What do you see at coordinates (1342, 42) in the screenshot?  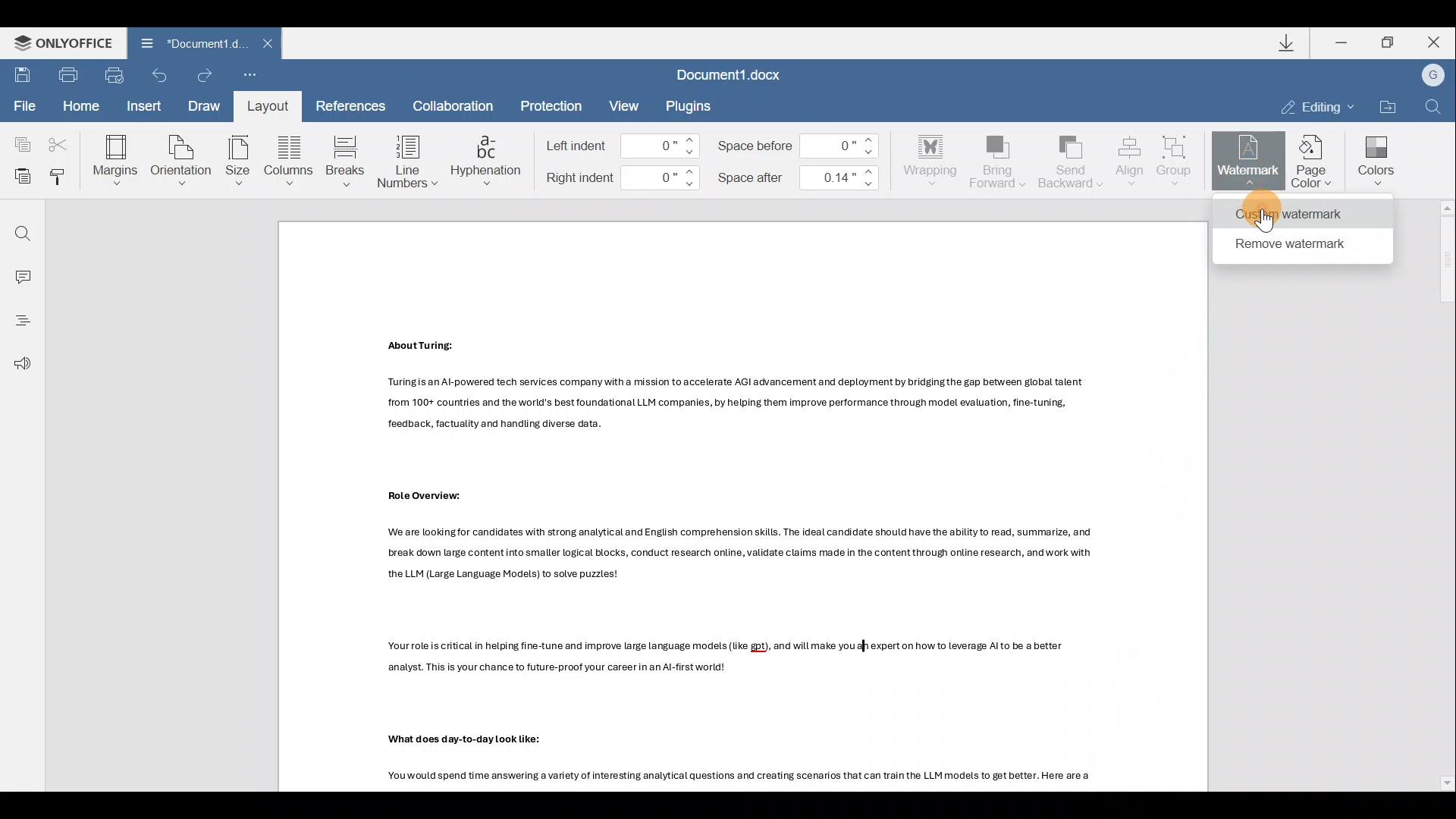 I see `Minimize` at bounding box center [1342, 42].